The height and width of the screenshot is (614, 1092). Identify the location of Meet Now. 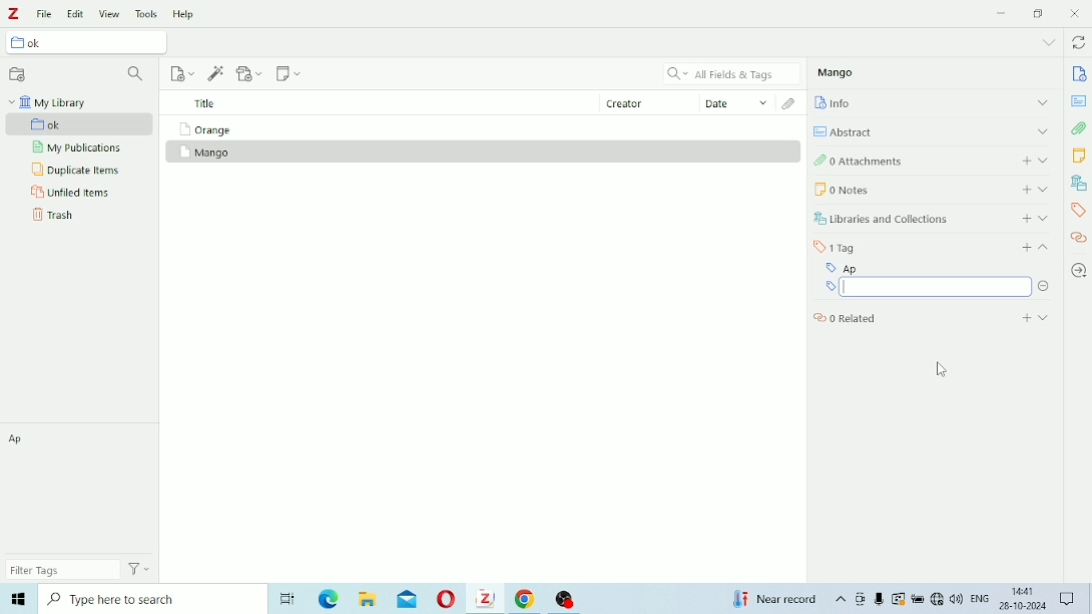
(861, 599).